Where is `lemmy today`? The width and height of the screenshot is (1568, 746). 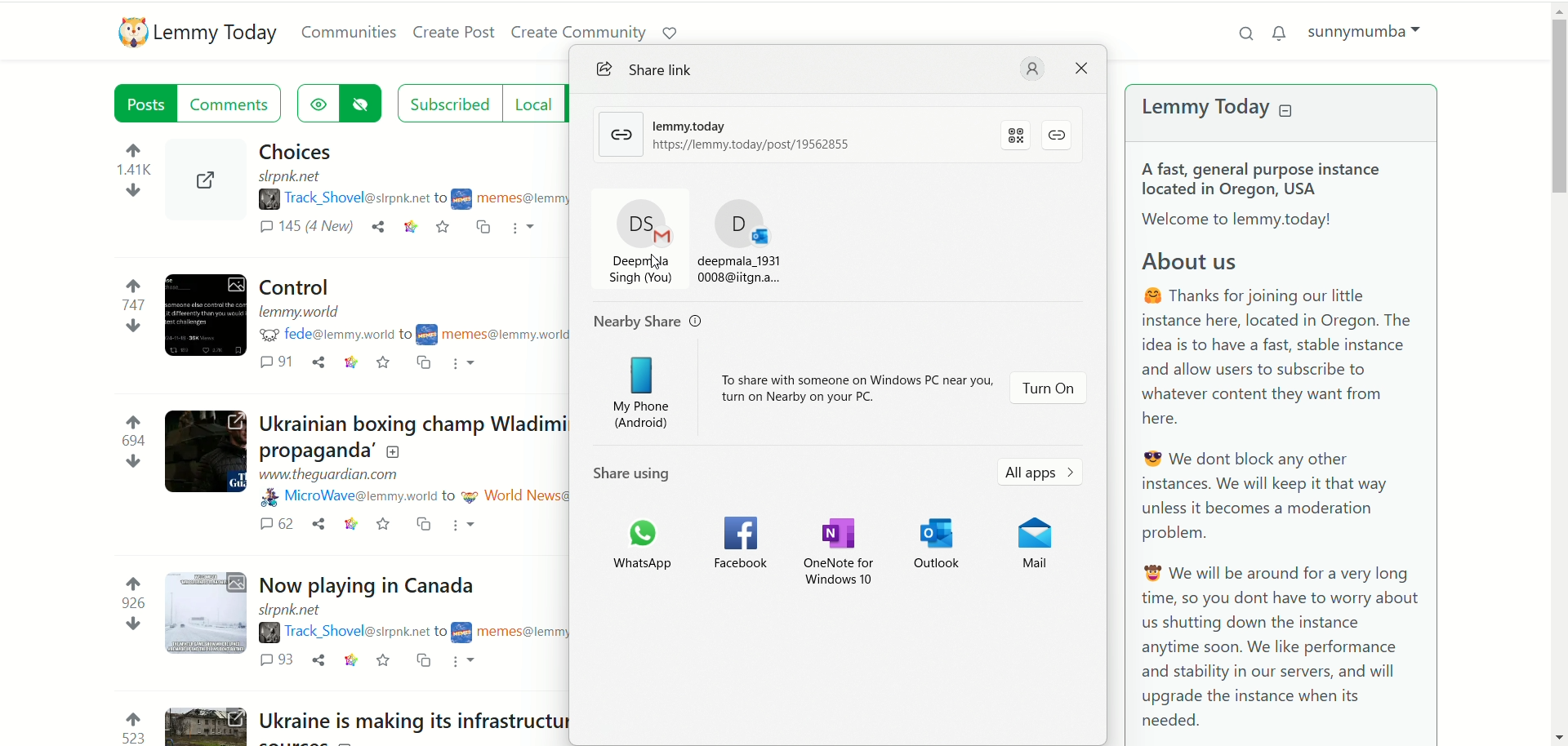
lemmy today is located at coordinates (1243, 109).